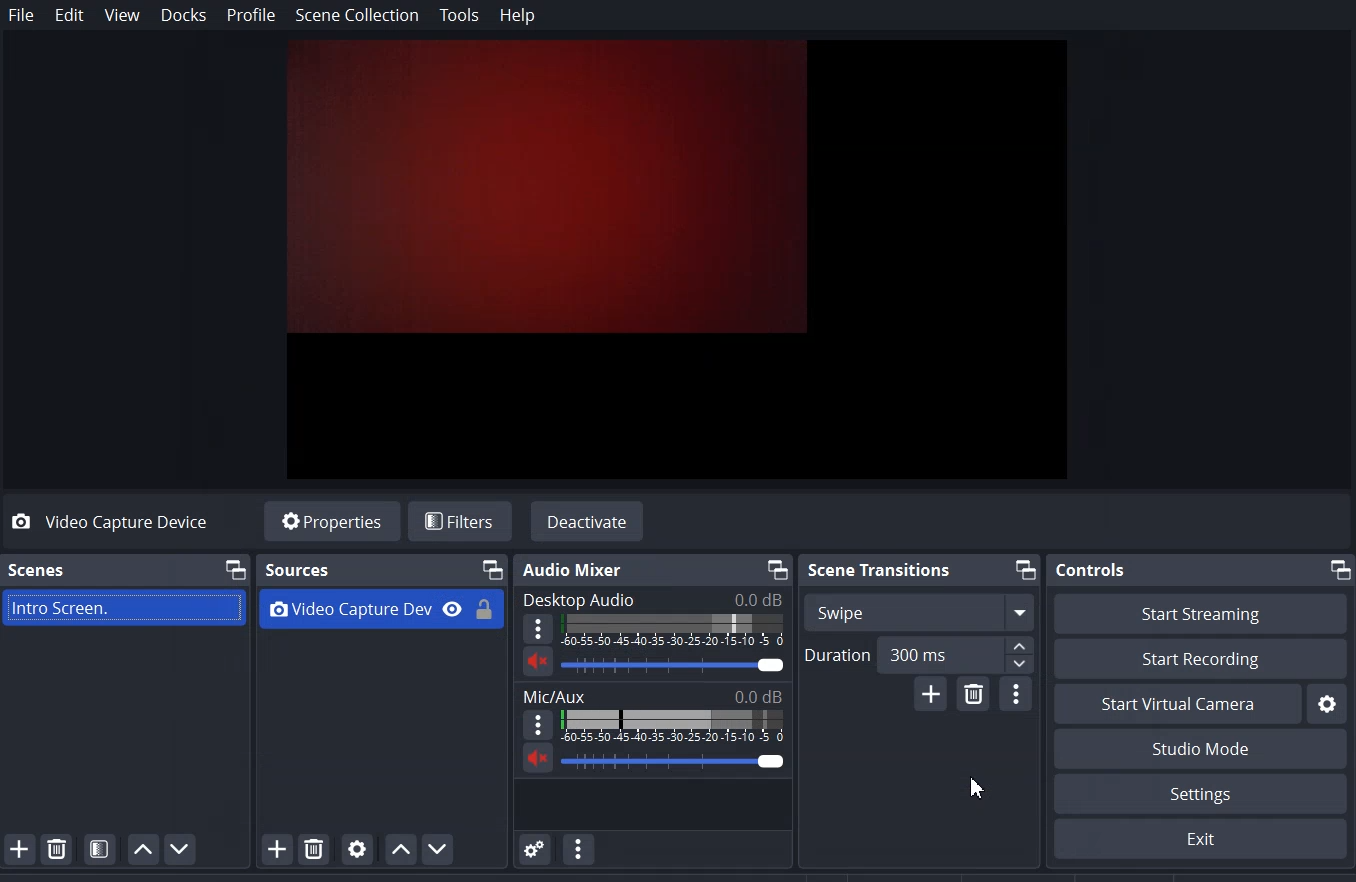 The width and height of the screenshot is (1356, 882). Describe the element at coordinates (298, 567) in the screenshot. I see `Sources` at that location.